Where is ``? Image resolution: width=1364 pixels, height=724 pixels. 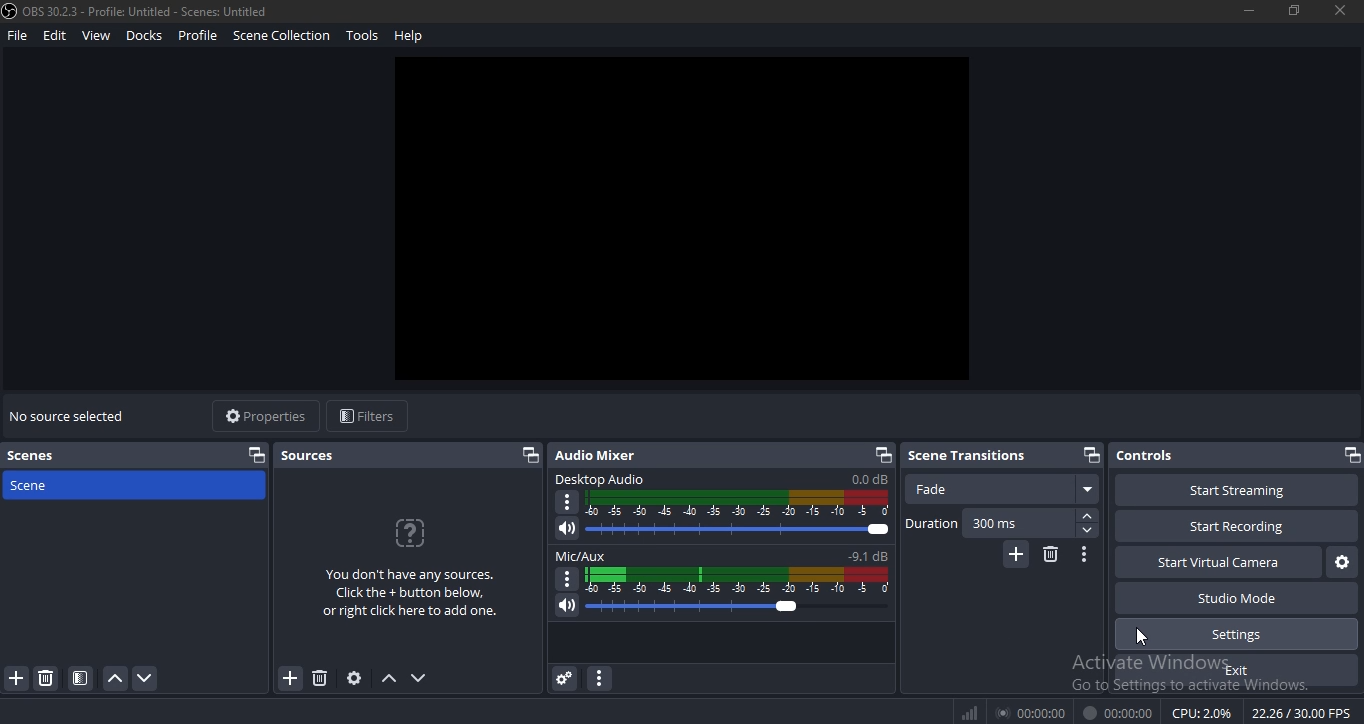
 is located at coordinates (1085, 555).